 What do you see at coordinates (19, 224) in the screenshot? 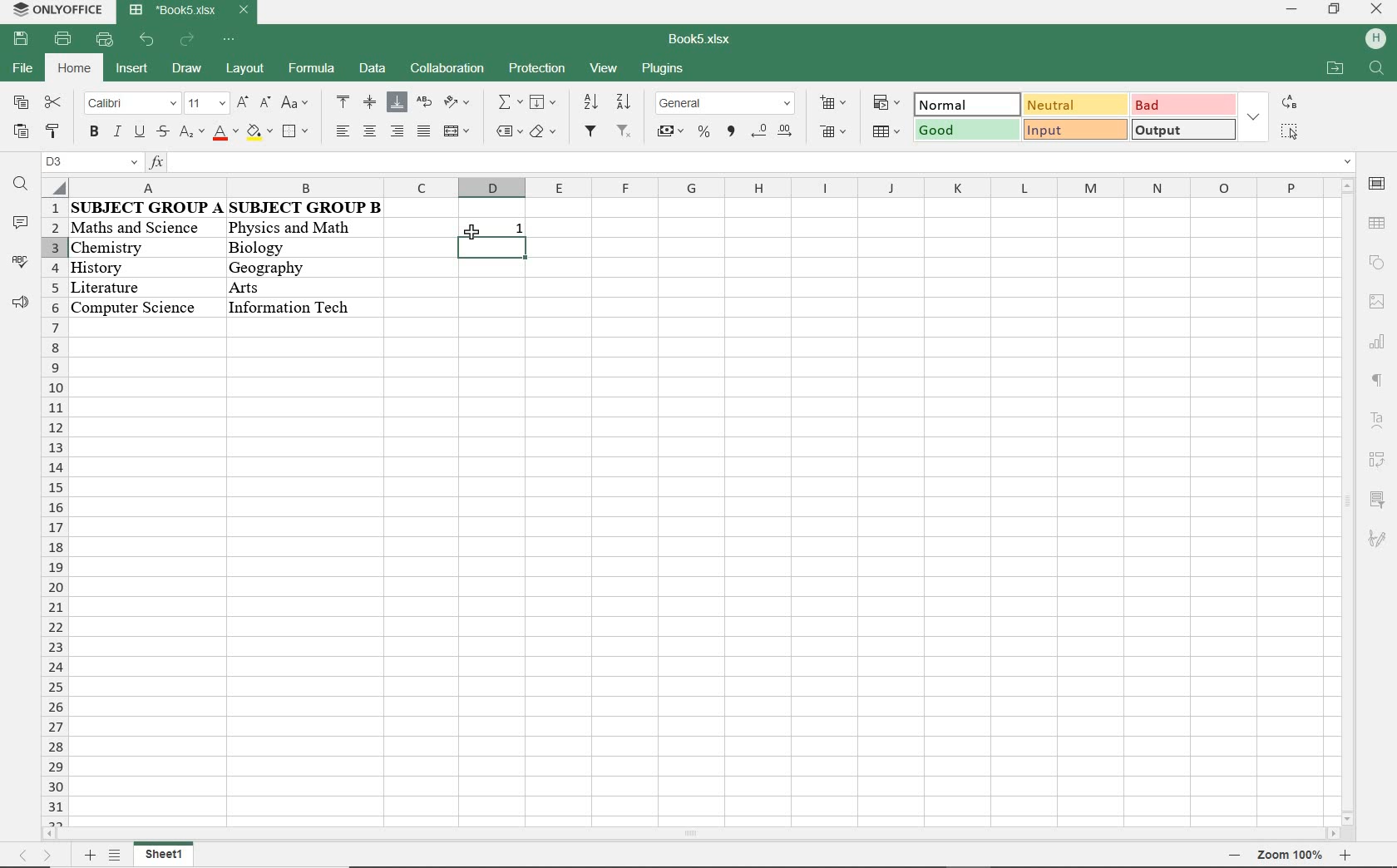
I see `comments` at bounding box center [19, 224].